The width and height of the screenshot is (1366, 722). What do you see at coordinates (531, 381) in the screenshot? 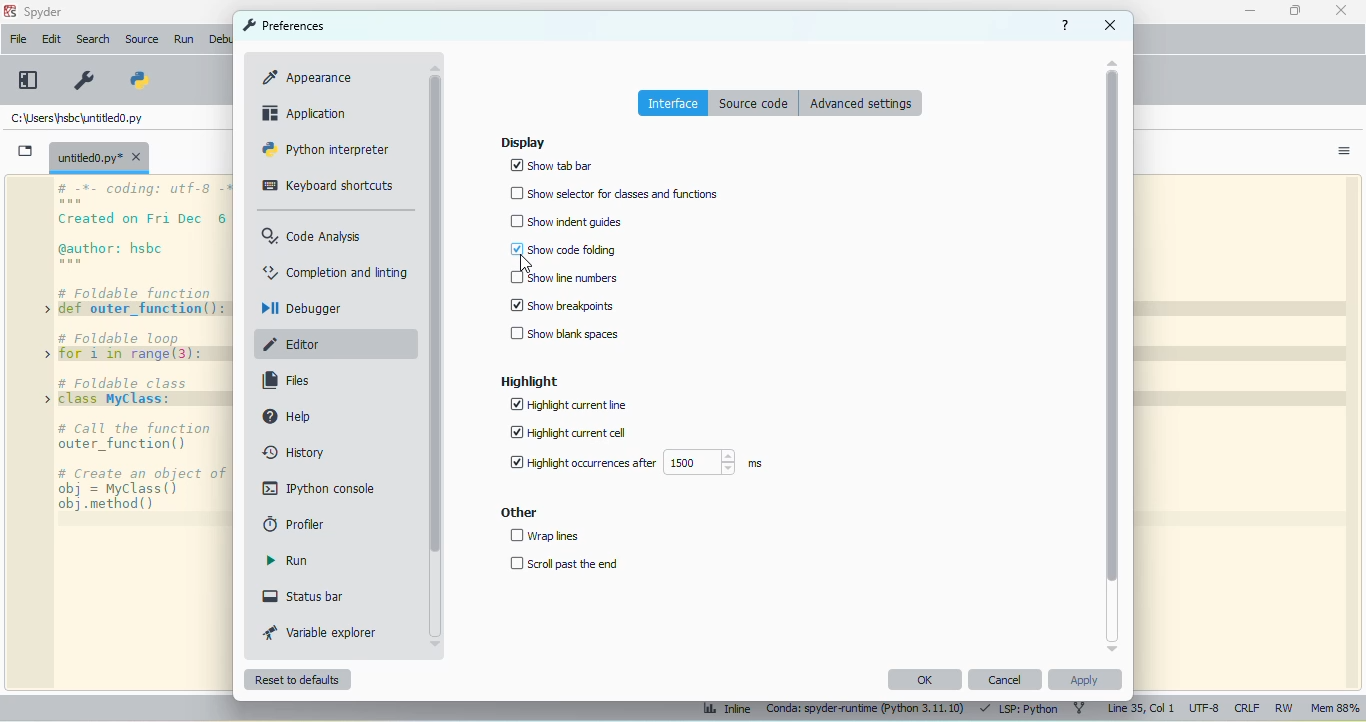
I see `highlight` at bounding box center [531, 381].